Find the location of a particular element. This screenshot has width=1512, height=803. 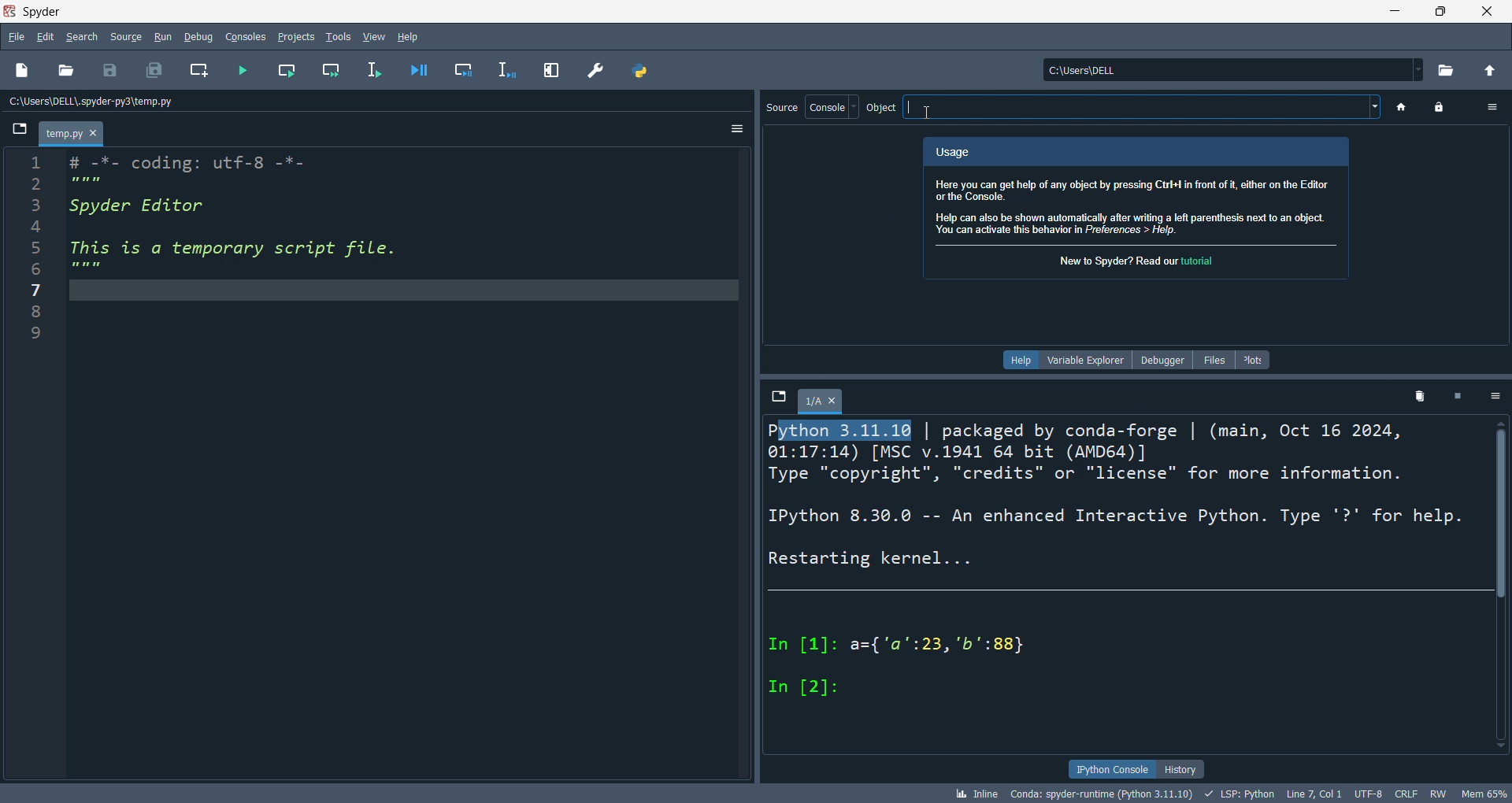

inline is located at coordinates (982, 794).